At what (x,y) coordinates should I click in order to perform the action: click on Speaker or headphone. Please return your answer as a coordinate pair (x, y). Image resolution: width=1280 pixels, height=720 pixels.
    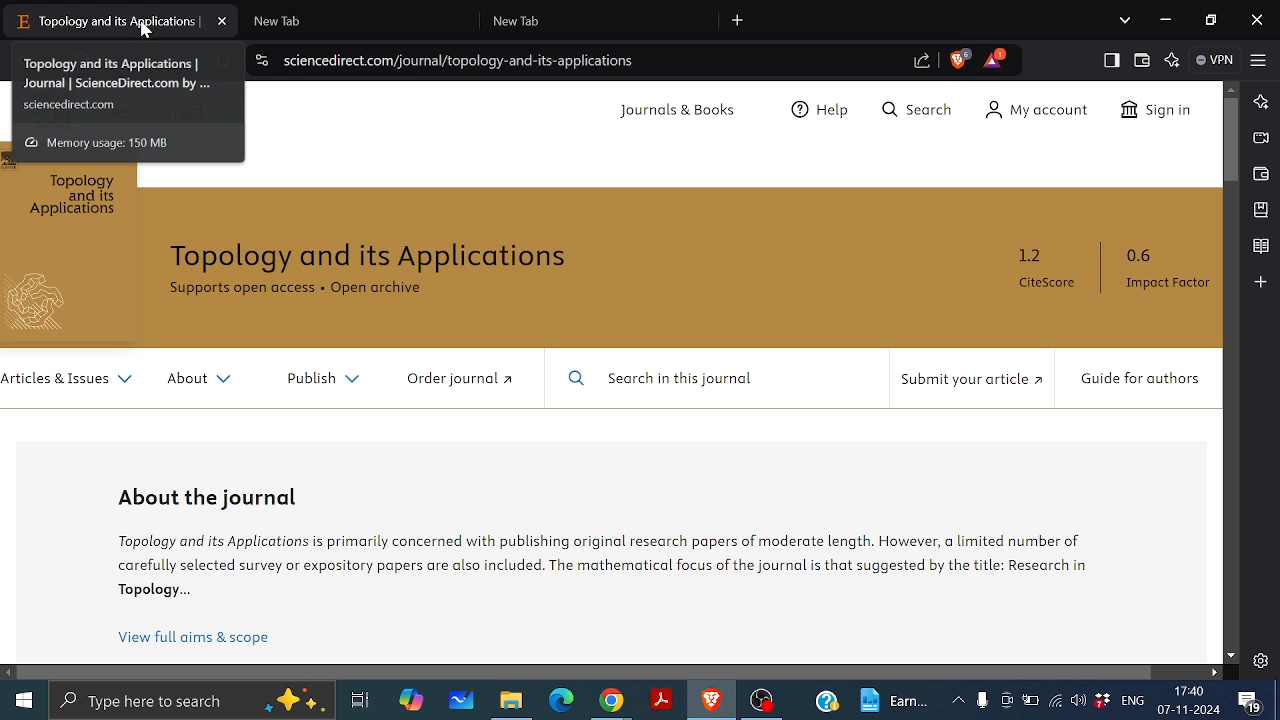
    Looking at the image, I should click on (1079, 701).